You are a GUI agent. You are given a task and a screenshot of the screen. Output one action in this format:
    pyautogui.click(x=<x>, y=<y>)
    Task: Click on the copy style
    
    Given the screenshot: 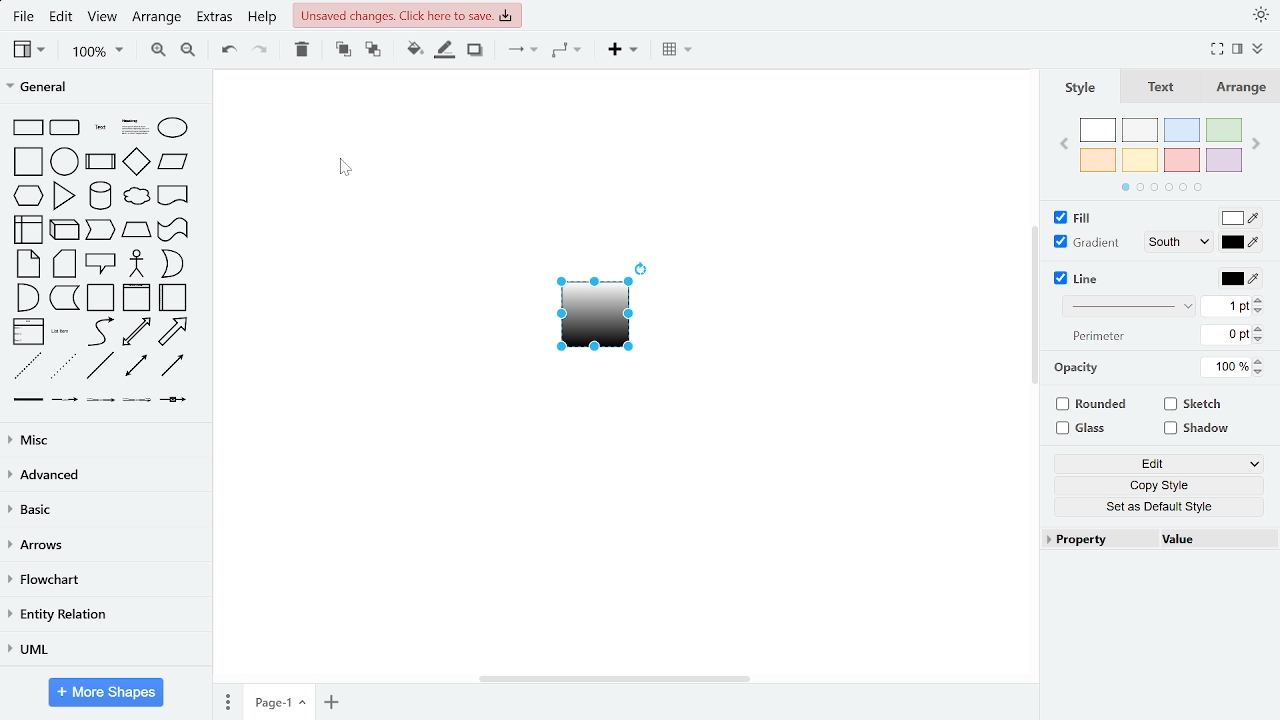 What is the action you would take?
    pyautogui.click(x=1162, y=486)
    